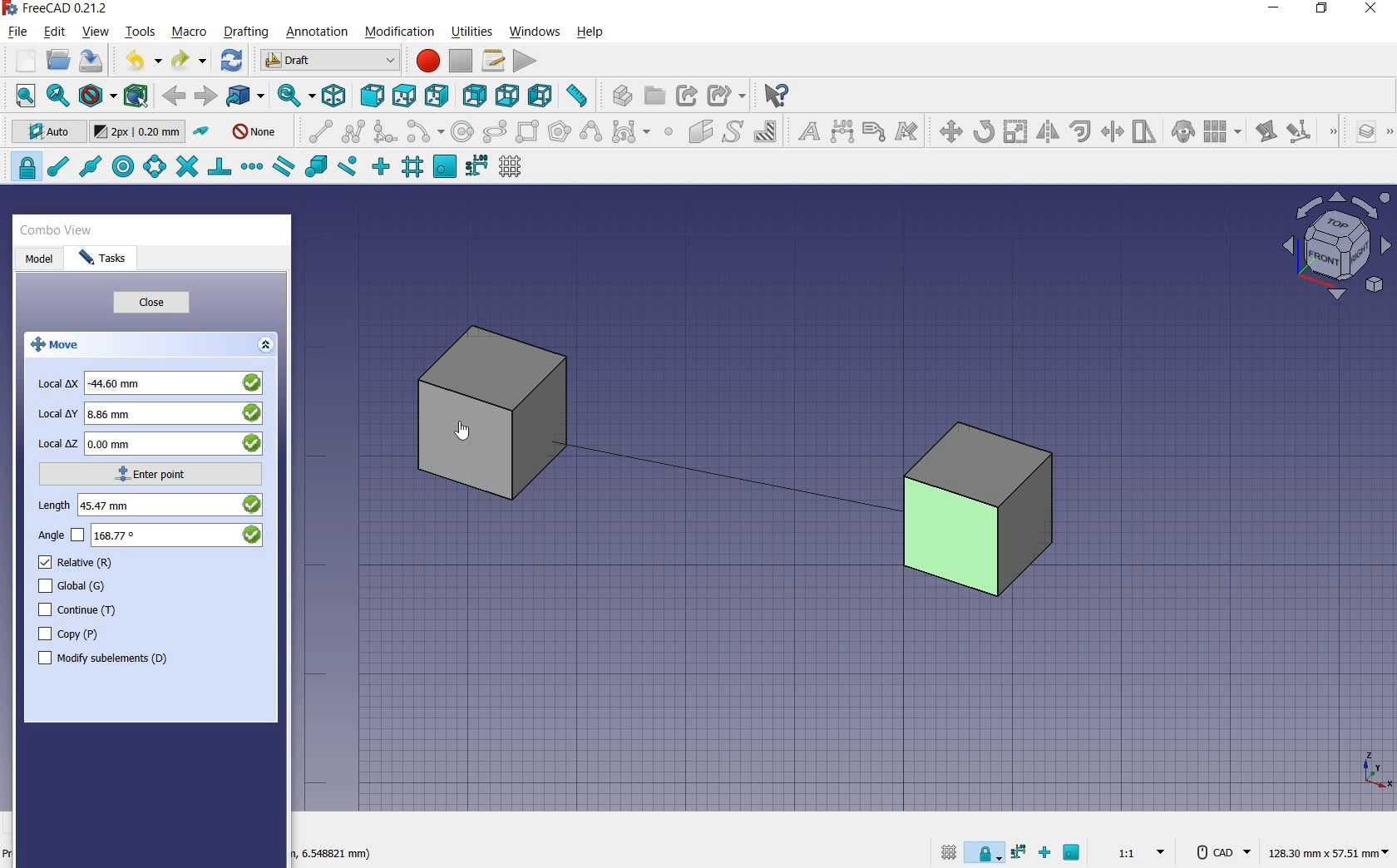 This screenshot has width=1397, height=868. What do you see at coordinates (268, 345) in the screenshot?
I see `expand` at bounding box center [268, 345].